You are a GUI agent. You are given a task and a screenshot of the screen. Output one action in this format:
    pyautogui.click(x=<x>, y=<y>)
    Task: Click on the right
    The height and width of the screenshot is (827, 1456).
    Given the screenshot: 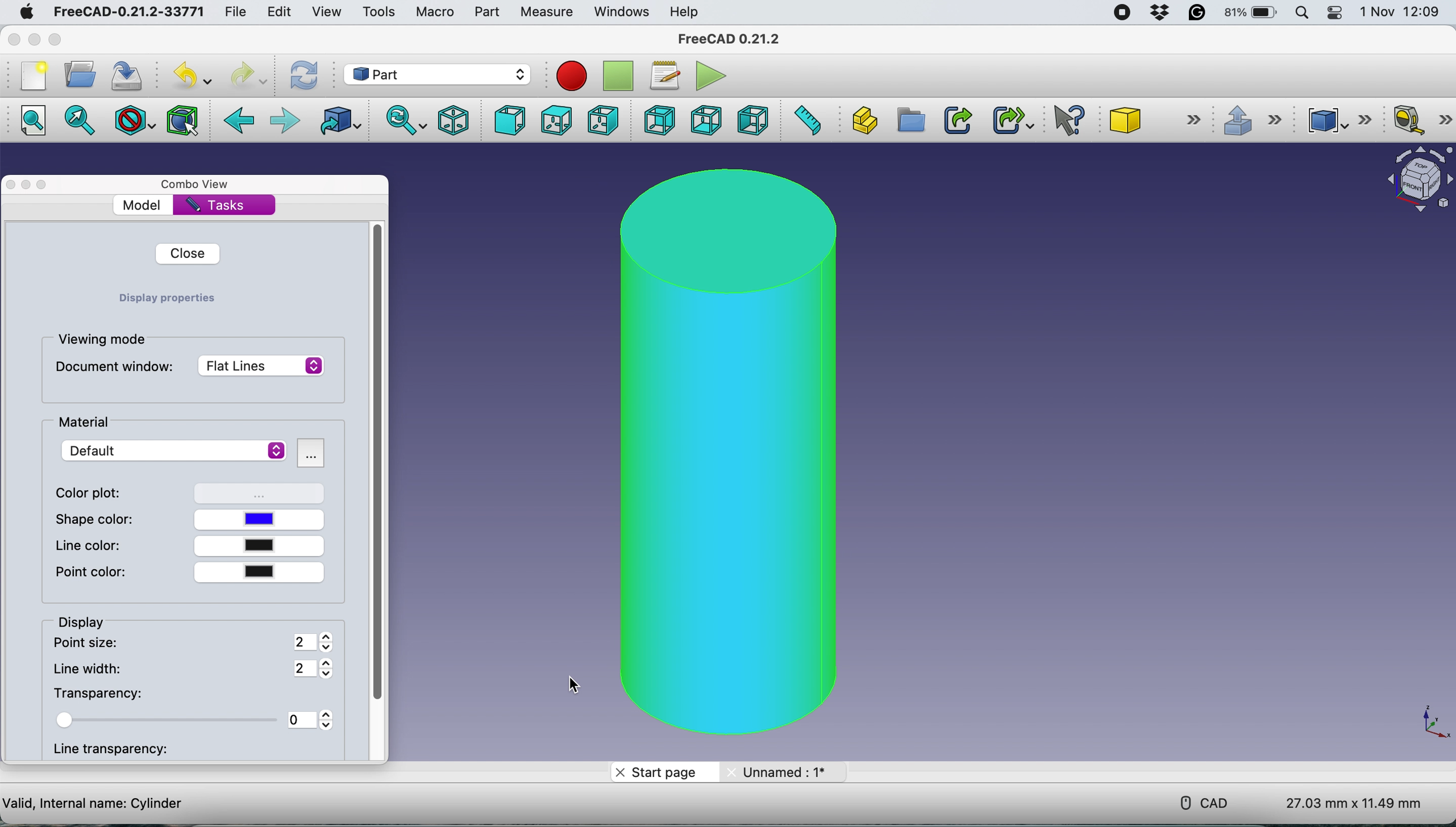 What is the action you would take?
    pyautogui.click(x=602, y=120)
    